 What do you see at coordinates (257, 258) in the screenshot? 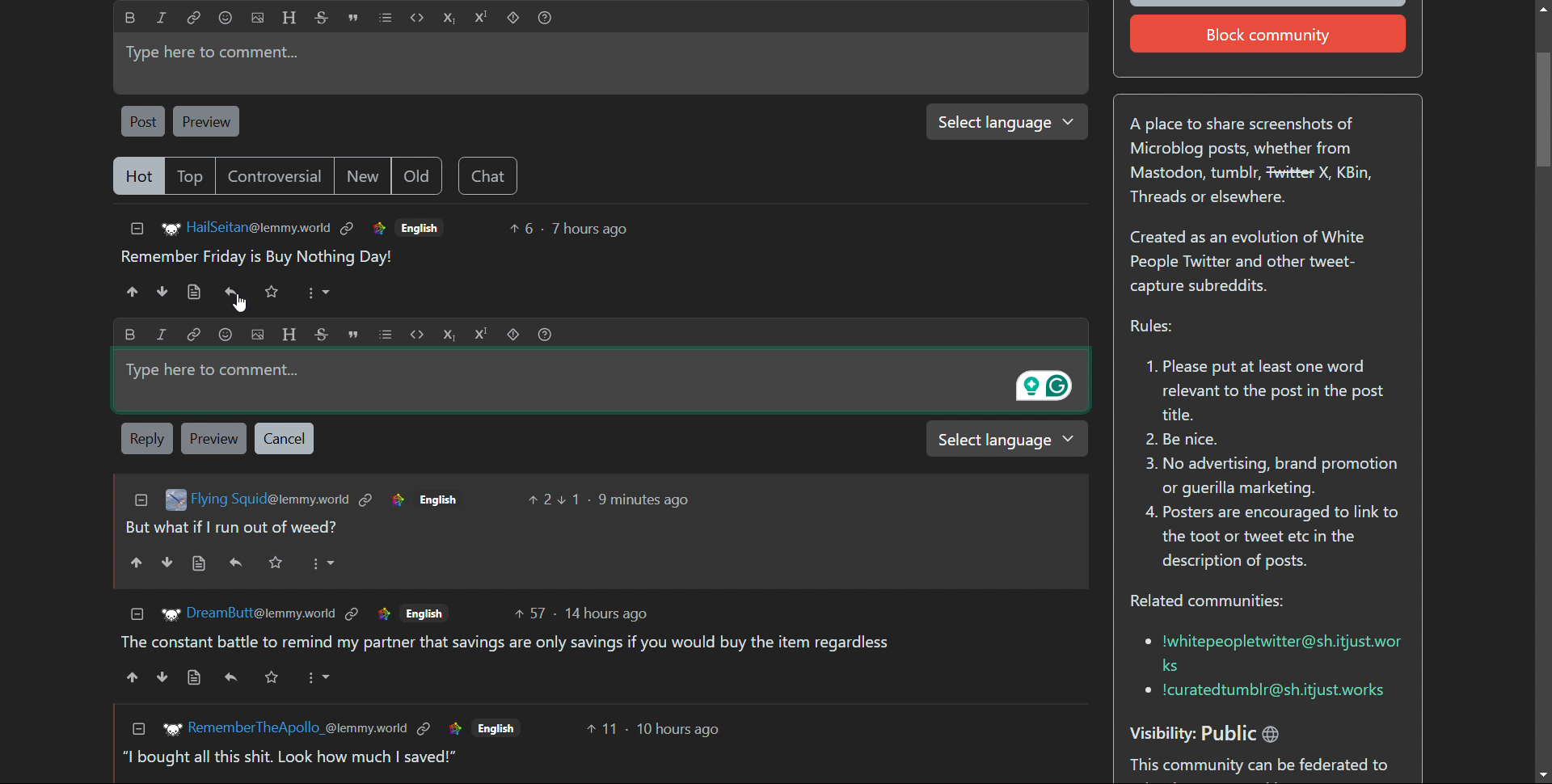
I see `comment` at bounding box center [257, 258].